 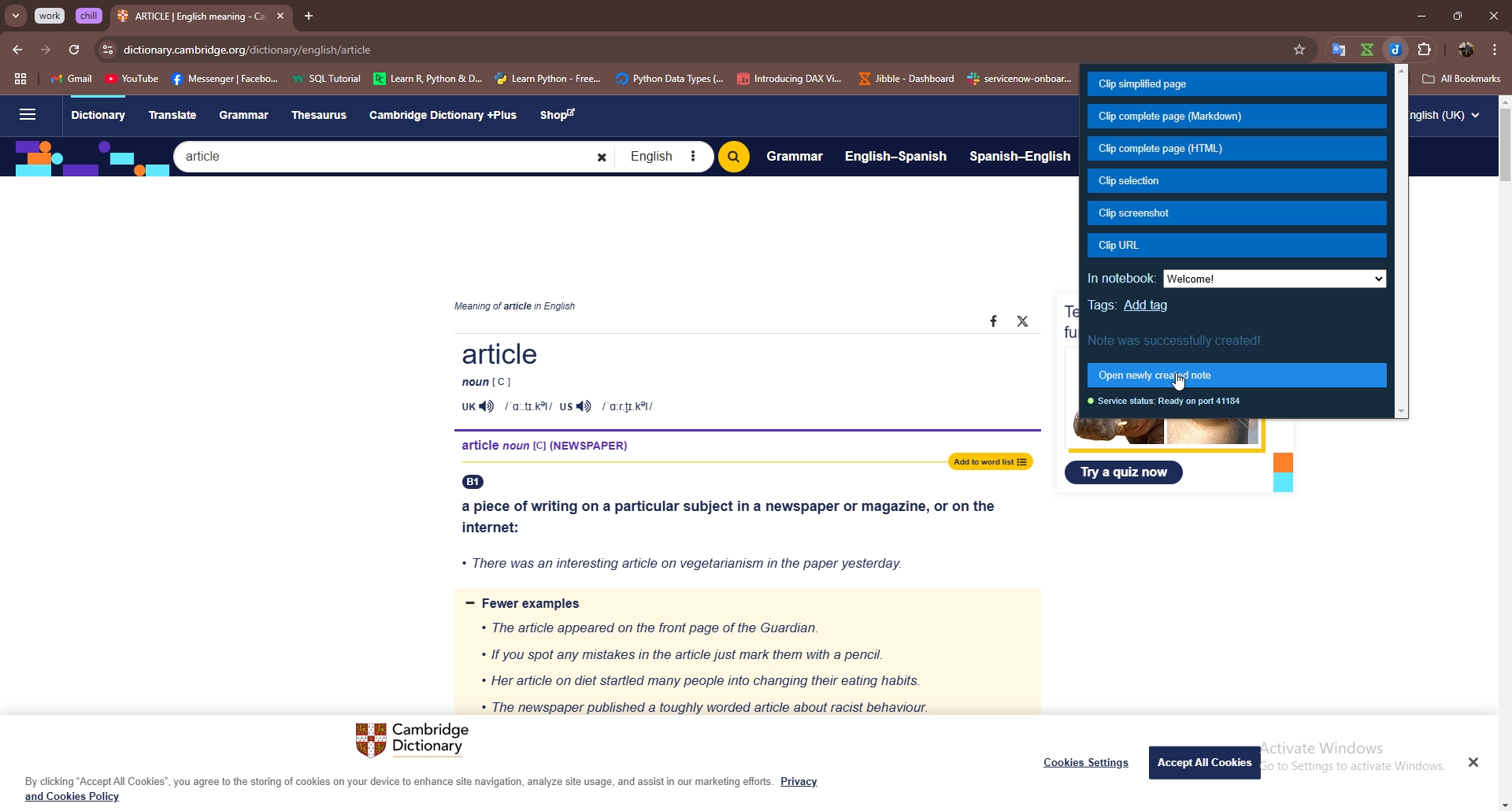 What do you see at coordinates (1503, 805) in the screenshot?
I see `scroll down` at bounding box center [1503, 805].